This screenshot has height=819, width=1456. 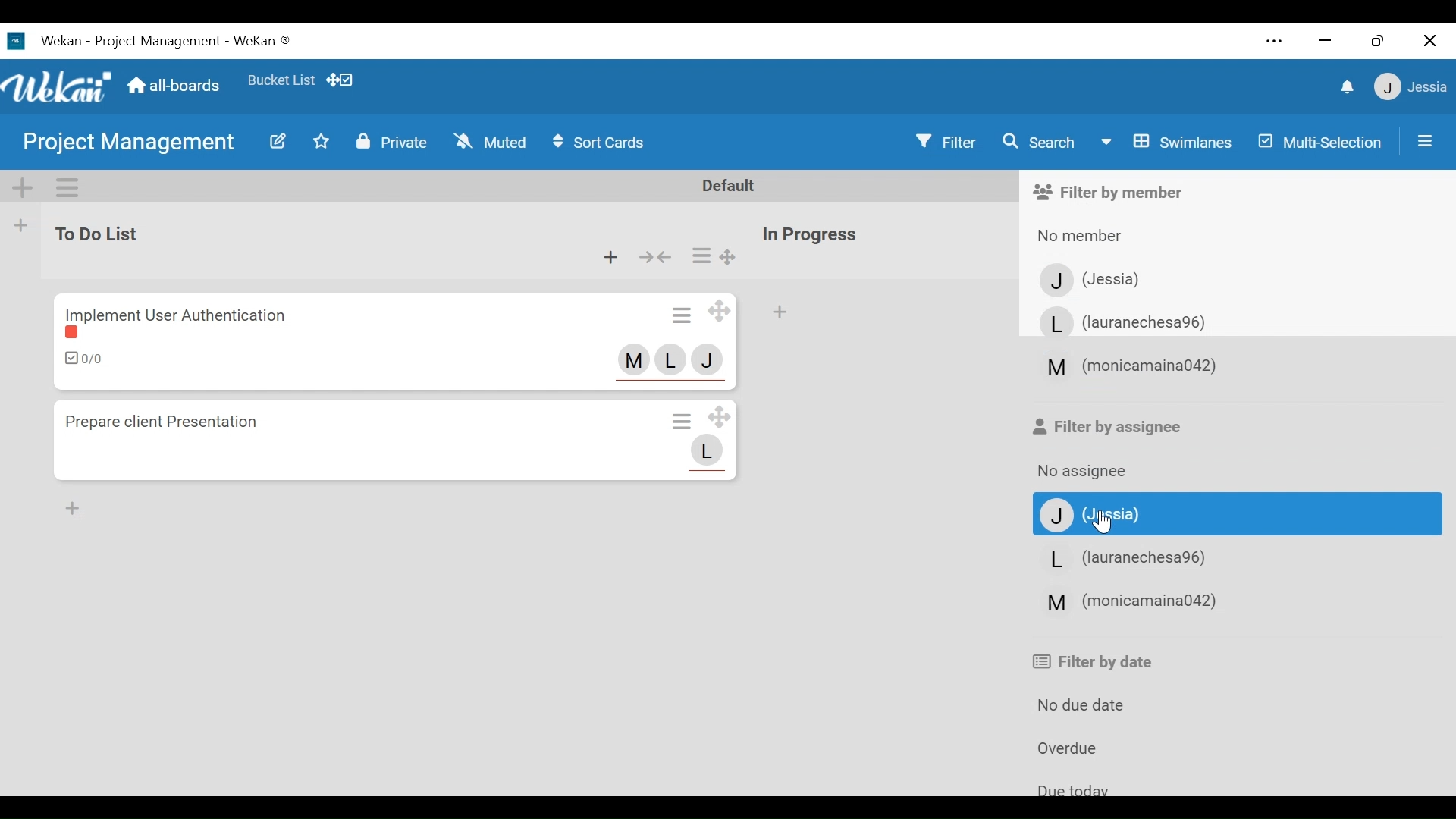 What do you see at coordinates (1105, 525) in the screenshot?
I see `Cursor` at bounding box center [1105, 525].